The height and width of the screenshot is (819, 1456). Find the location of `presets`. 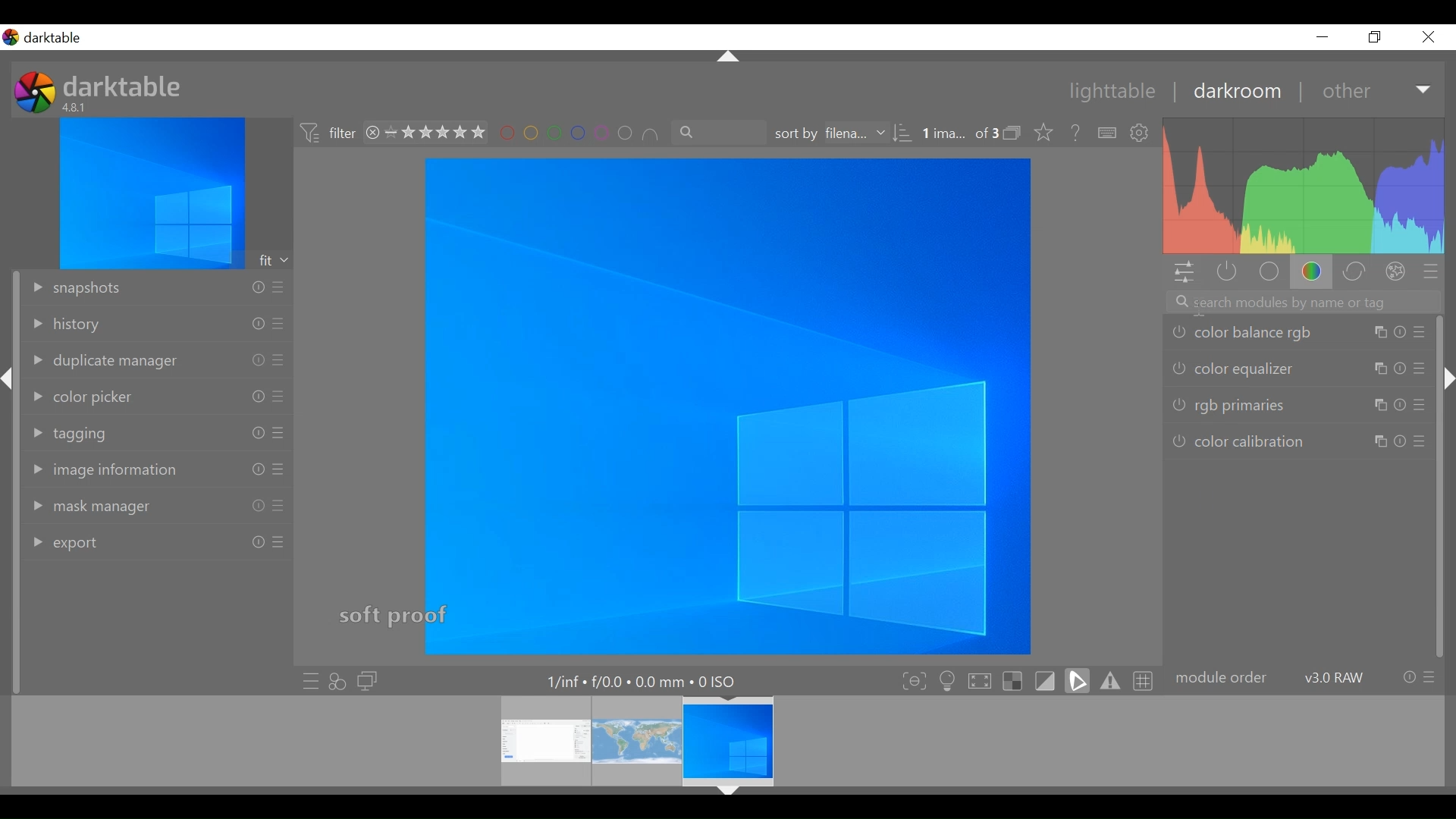

presets is located at coordinates (280, 360).